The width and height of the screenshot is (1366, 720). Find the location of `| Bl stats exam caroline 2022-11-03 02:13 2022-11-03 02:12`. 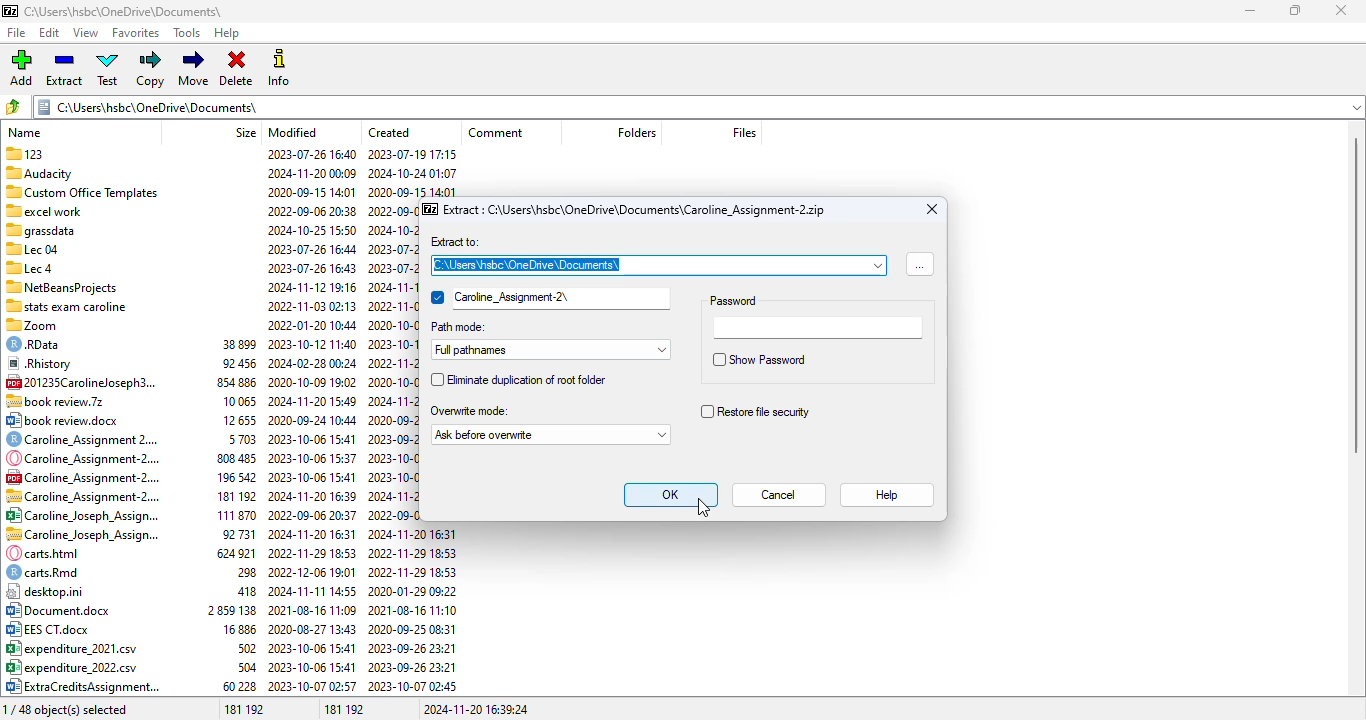

| Bl stats exam caroline 2022-11-03 02:13 2022-11-03 02:12 is located at coordinates (212, 304).